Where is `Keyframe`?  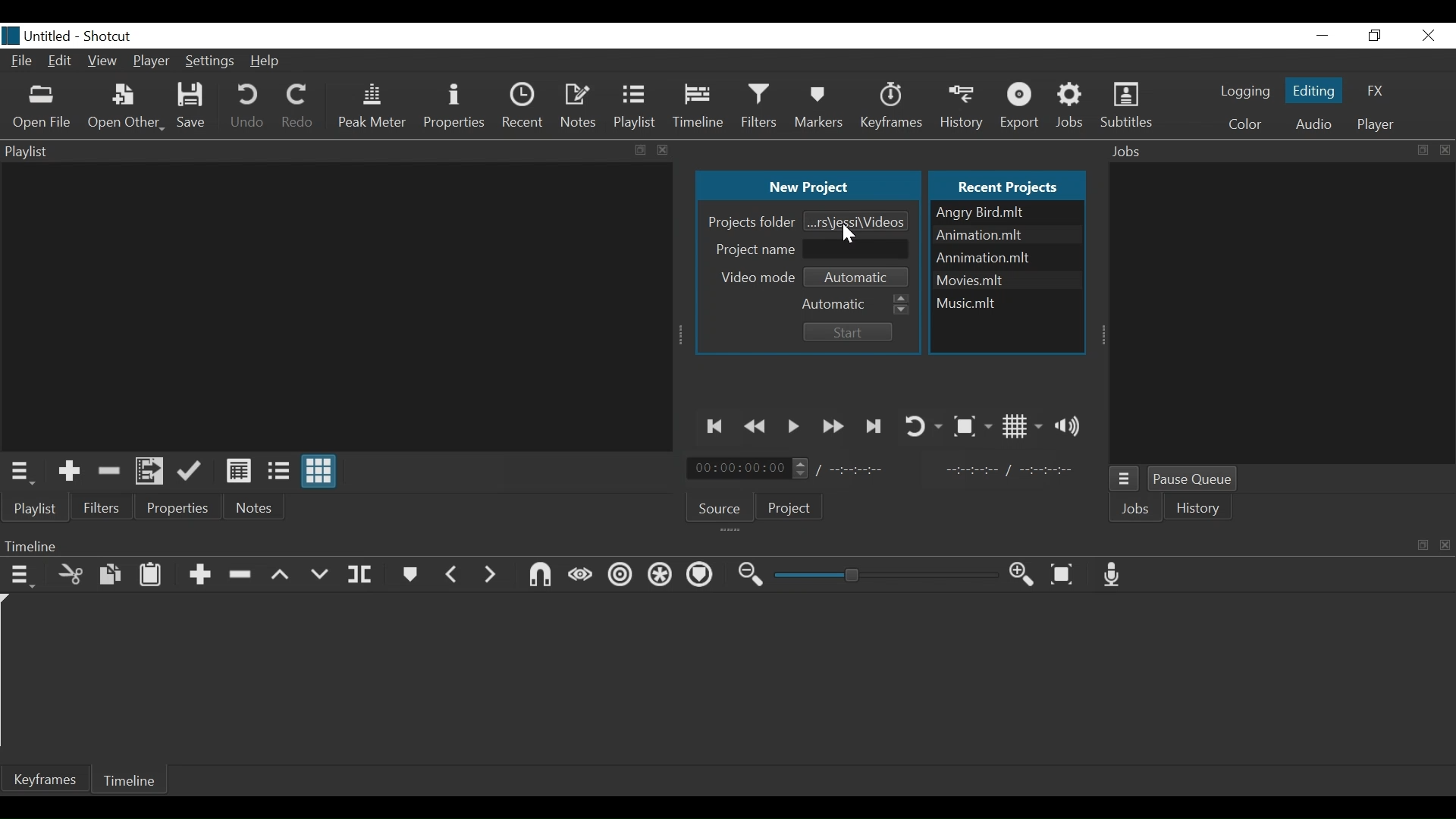
Keyframe is located at coordinates (46, 779).